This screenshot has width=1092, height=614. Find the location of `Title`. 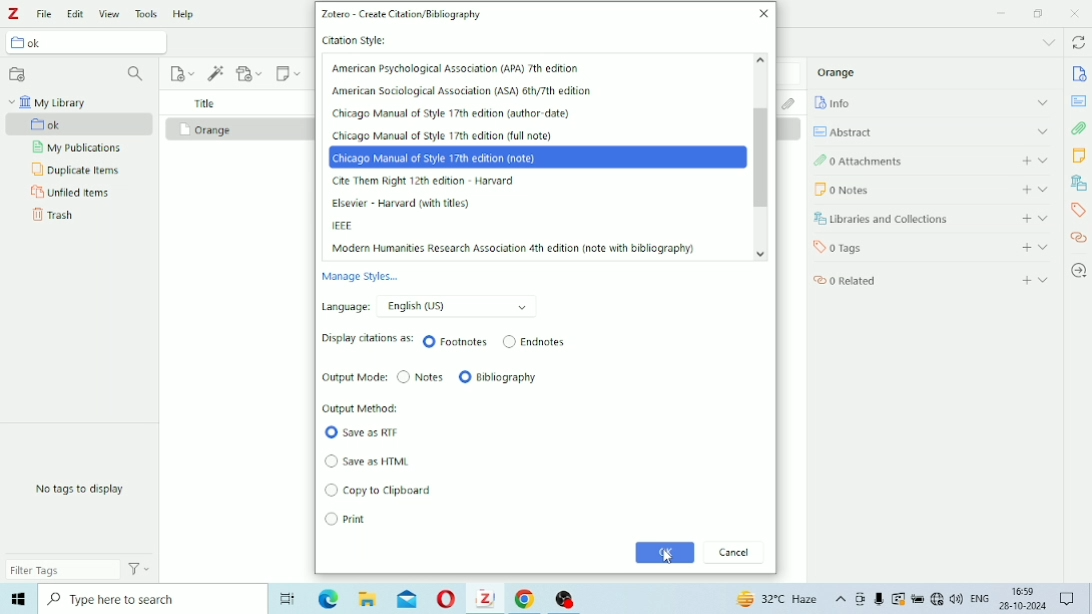

Title is located at coordinates (205, 103).